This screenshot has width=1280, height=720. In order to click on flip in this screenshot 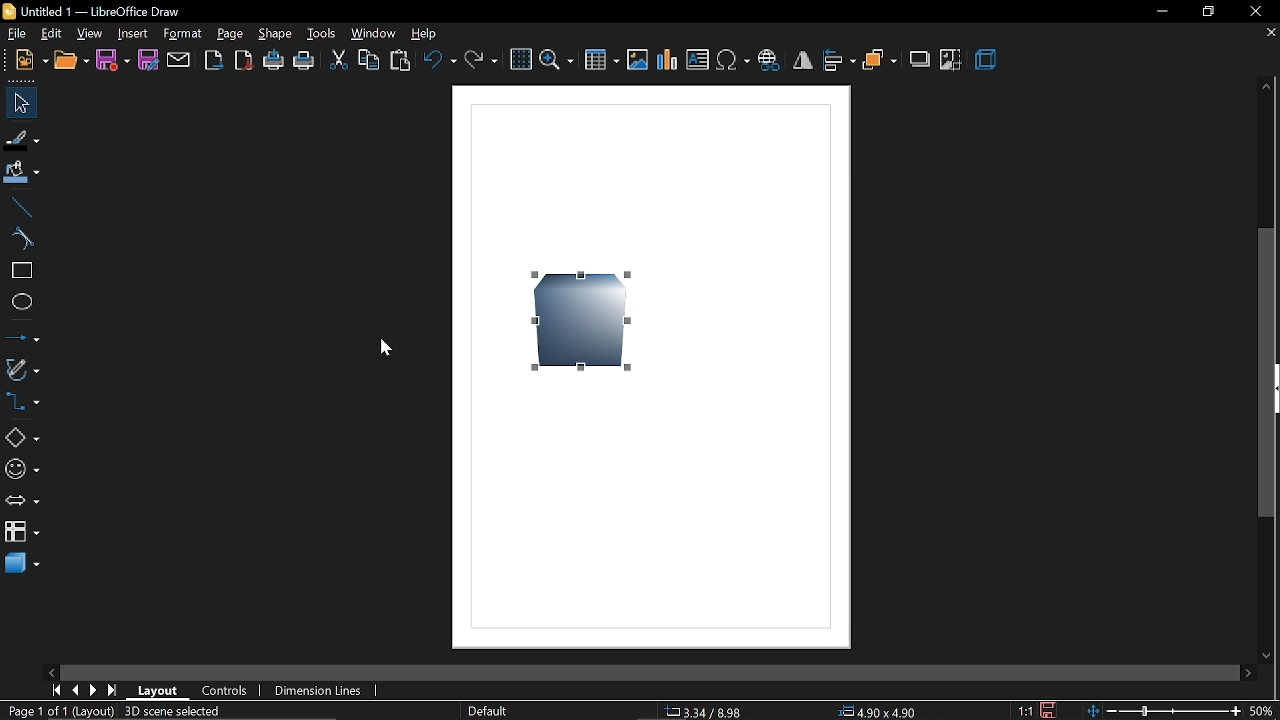, I will do `click(803, 60)`.